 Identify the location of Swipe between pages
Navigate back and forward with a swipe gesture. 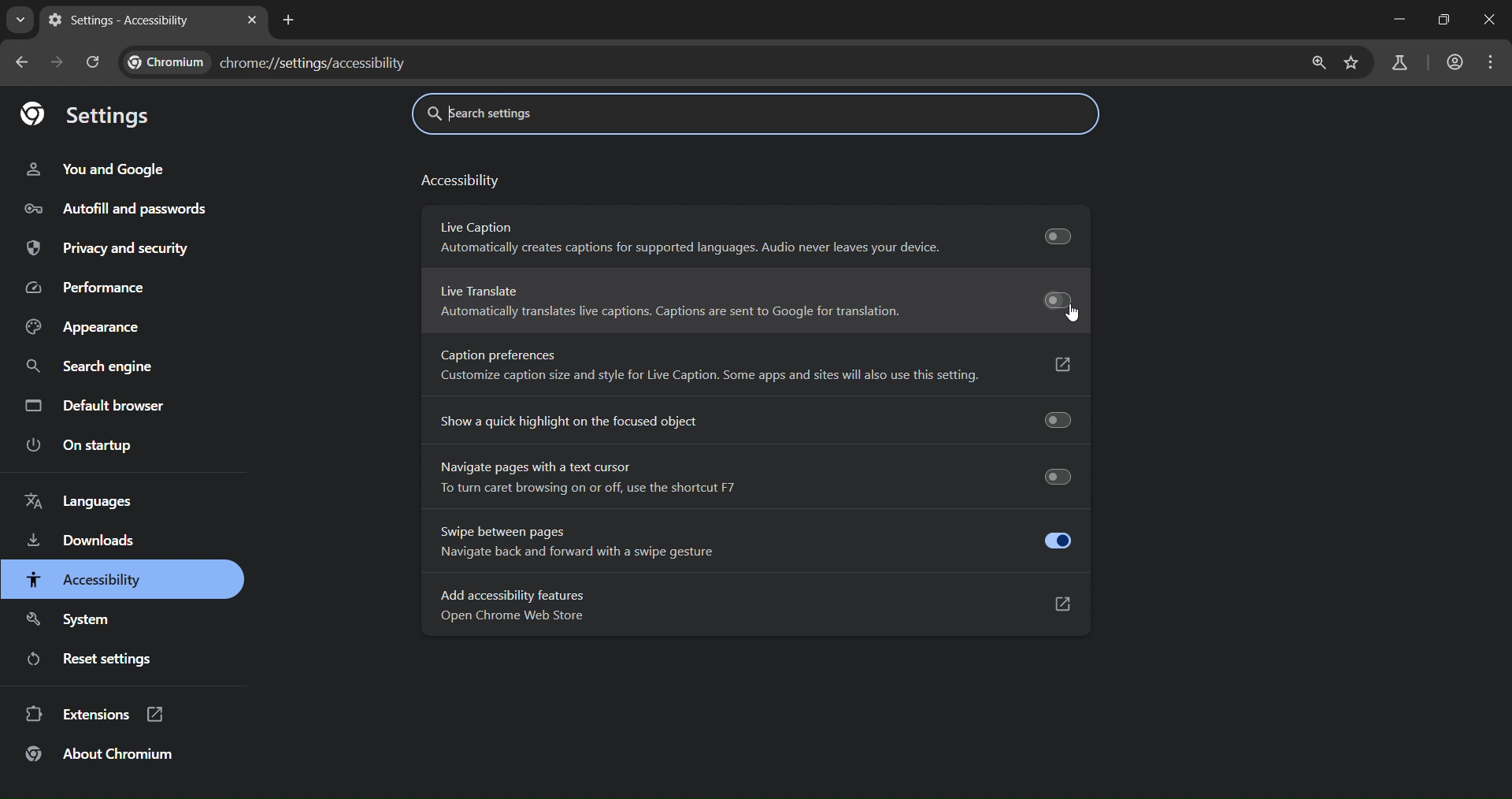
(566, 541).